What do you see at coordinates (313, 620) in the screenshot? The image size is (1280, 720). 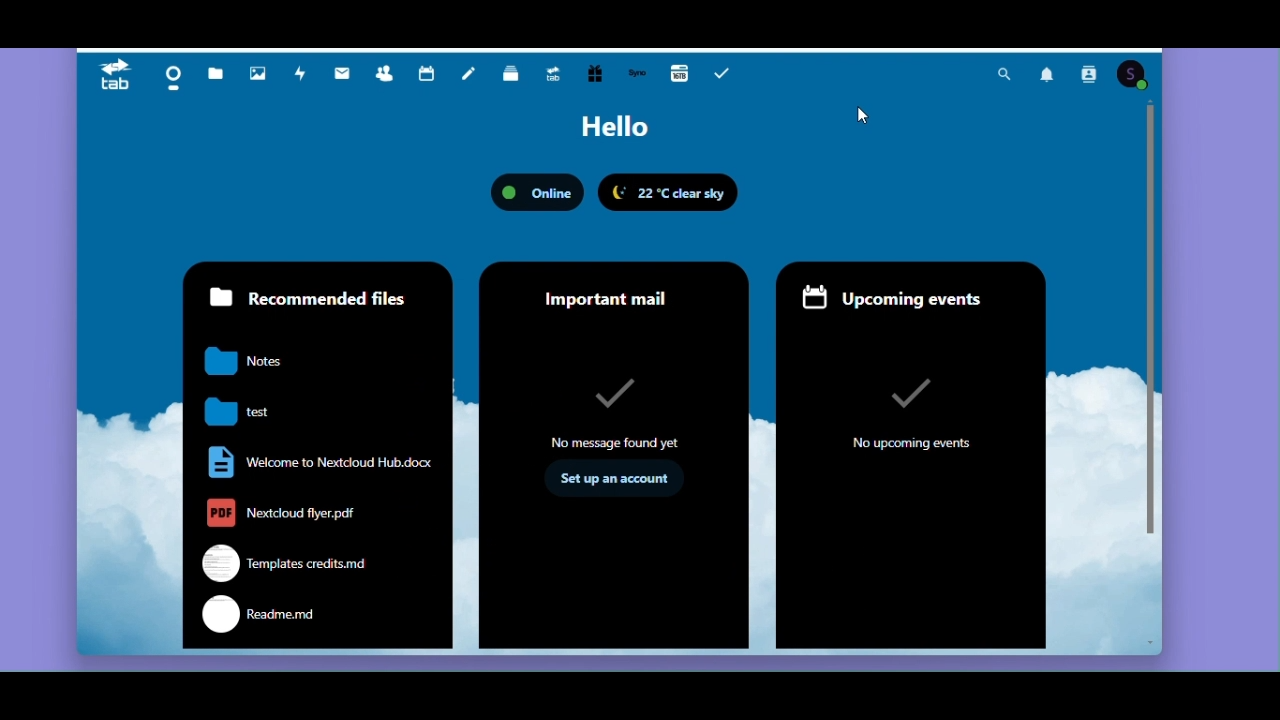 I see `readme.md` at bounding box center [313, 620].